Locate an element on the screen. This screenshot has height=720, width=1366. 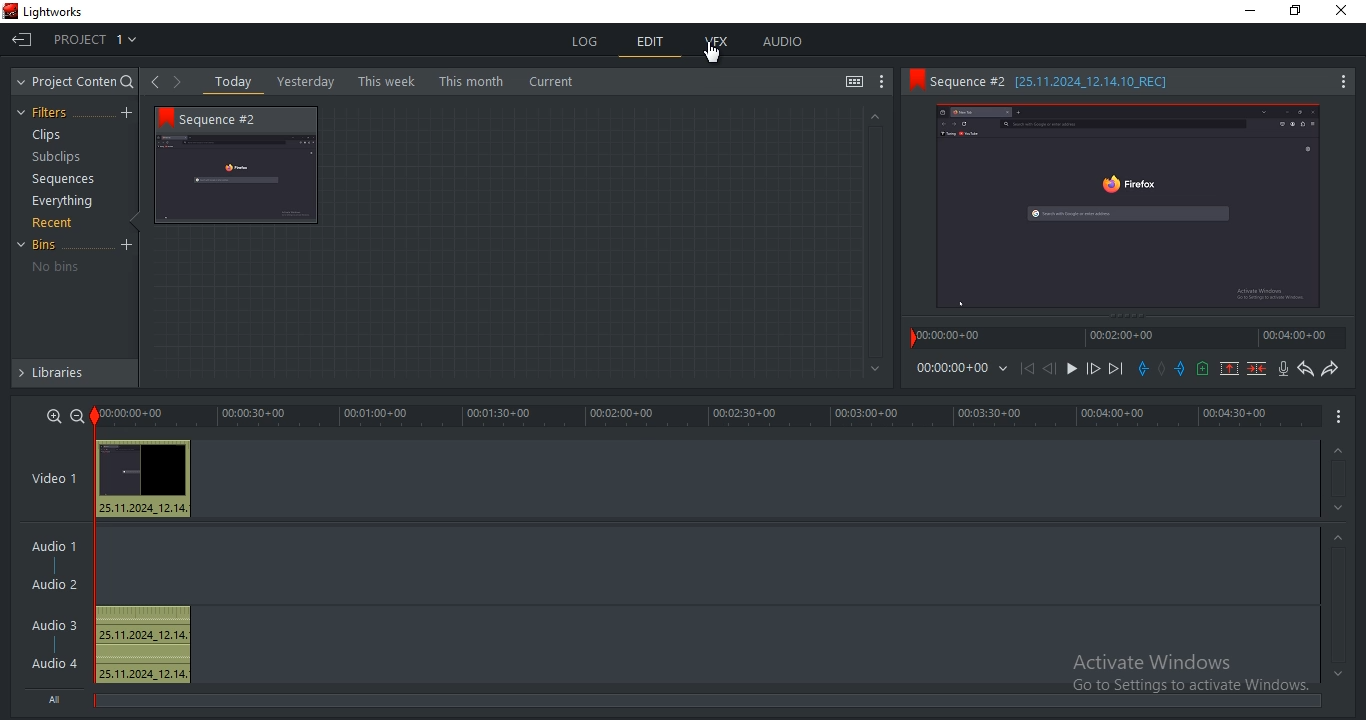
show settings menu is located at coordinates (883, 81).